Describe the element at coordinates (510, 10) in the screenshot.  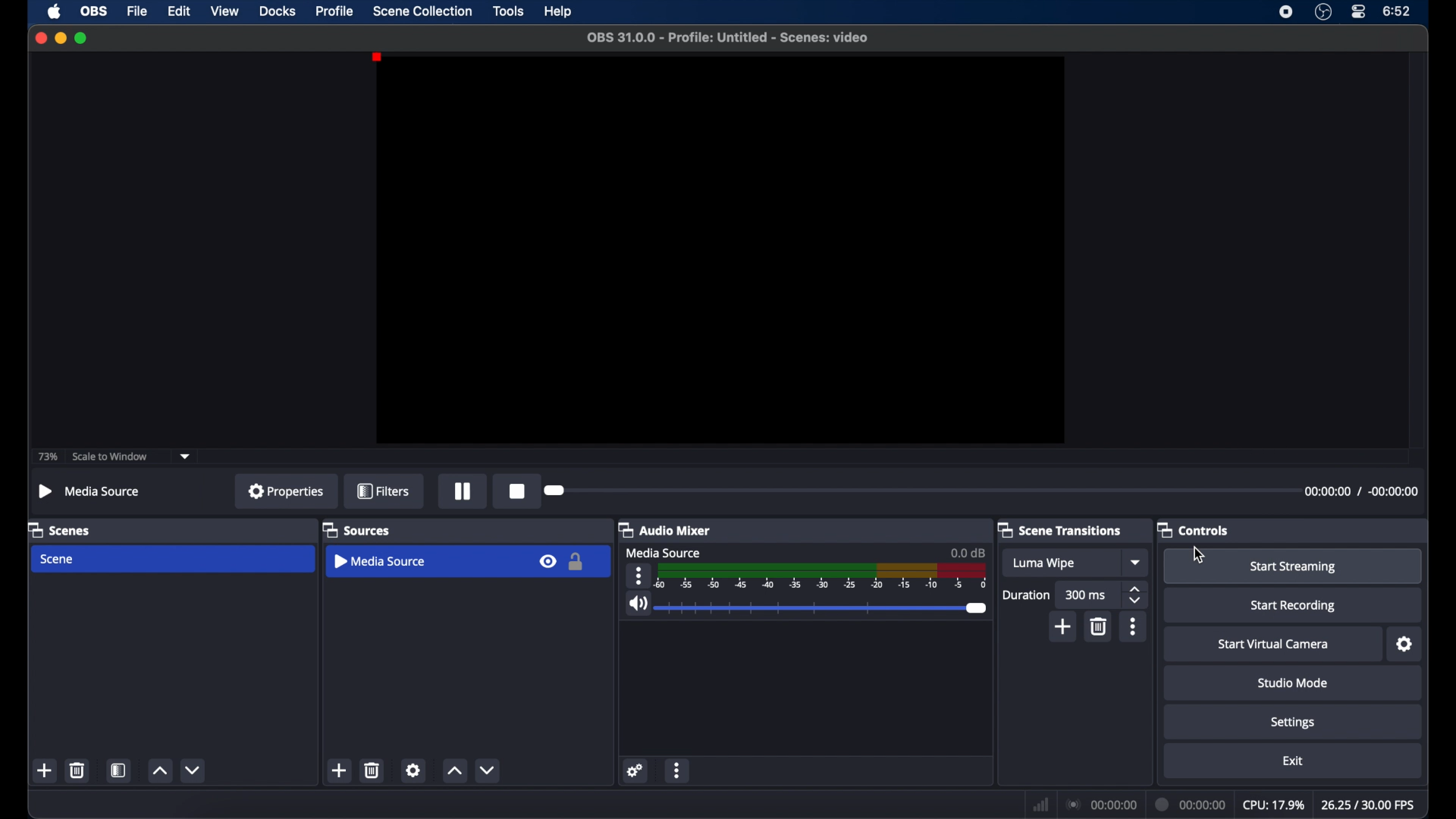
I see `tools` at that location.